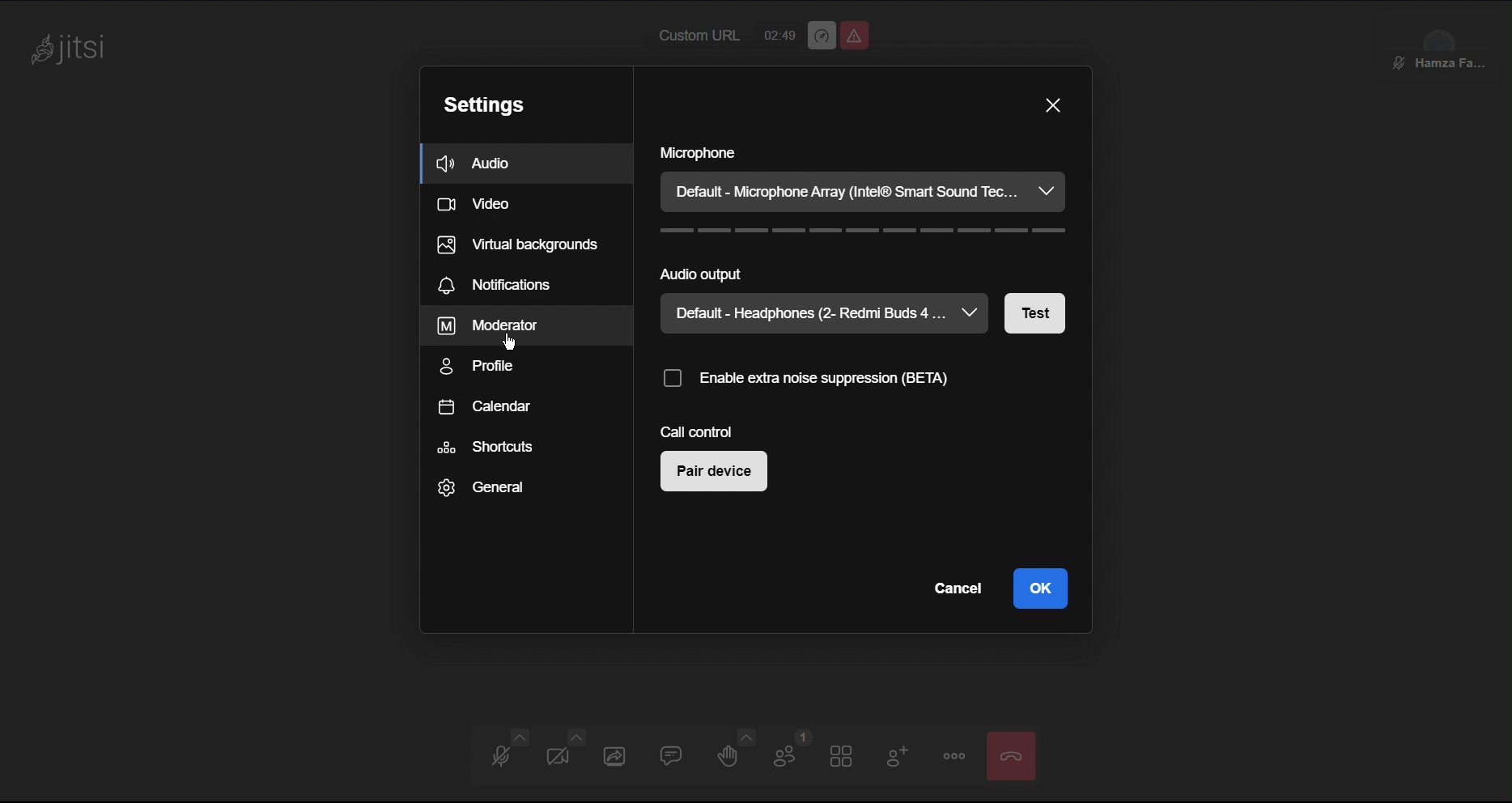 Image resolution: width=1512 pixels, height=803 pixels. I want to click on OK, so click(1041, 588).